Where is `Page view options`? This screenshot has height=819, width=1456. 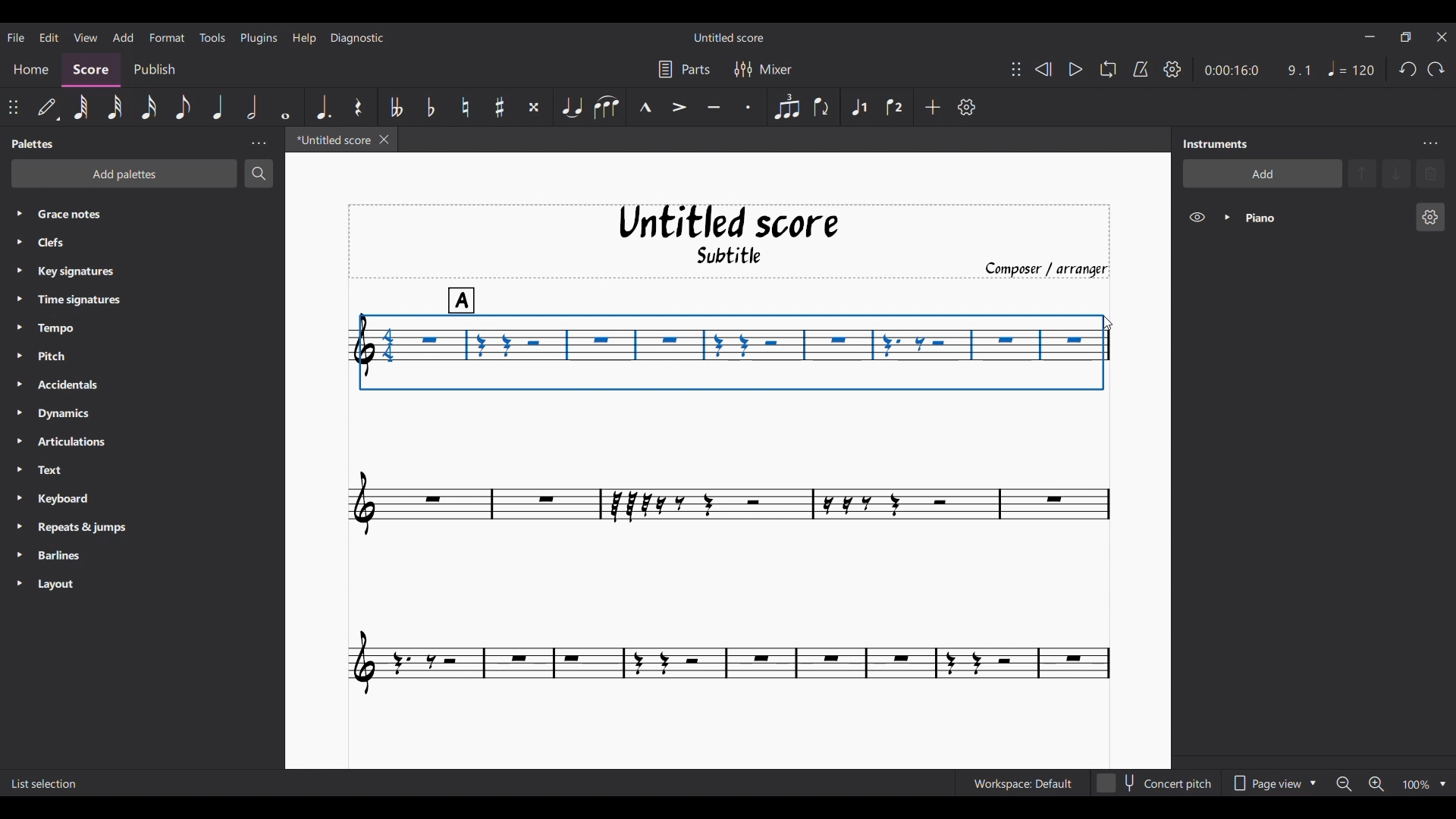 Page view options is located at coordinates (1273, 783).